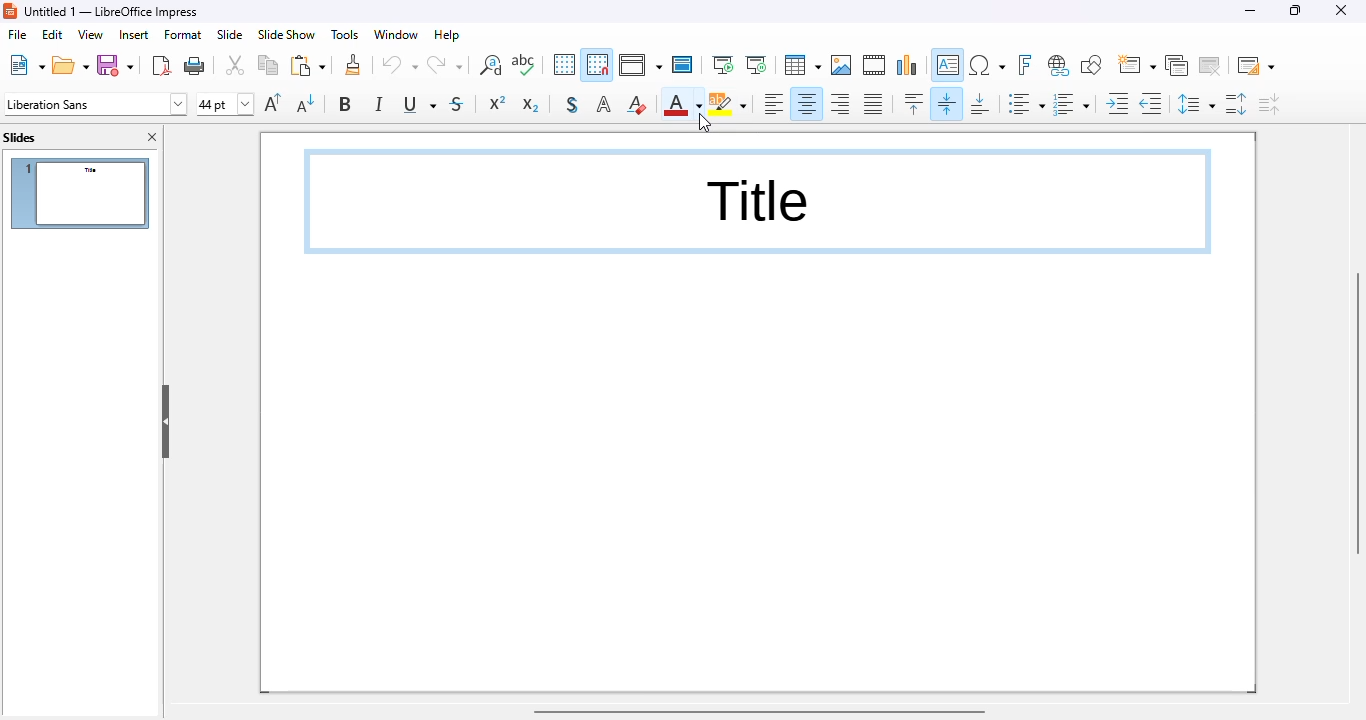 The width and height of the screenshot is (1366, 720). I want to click on open, so click(71, 65).